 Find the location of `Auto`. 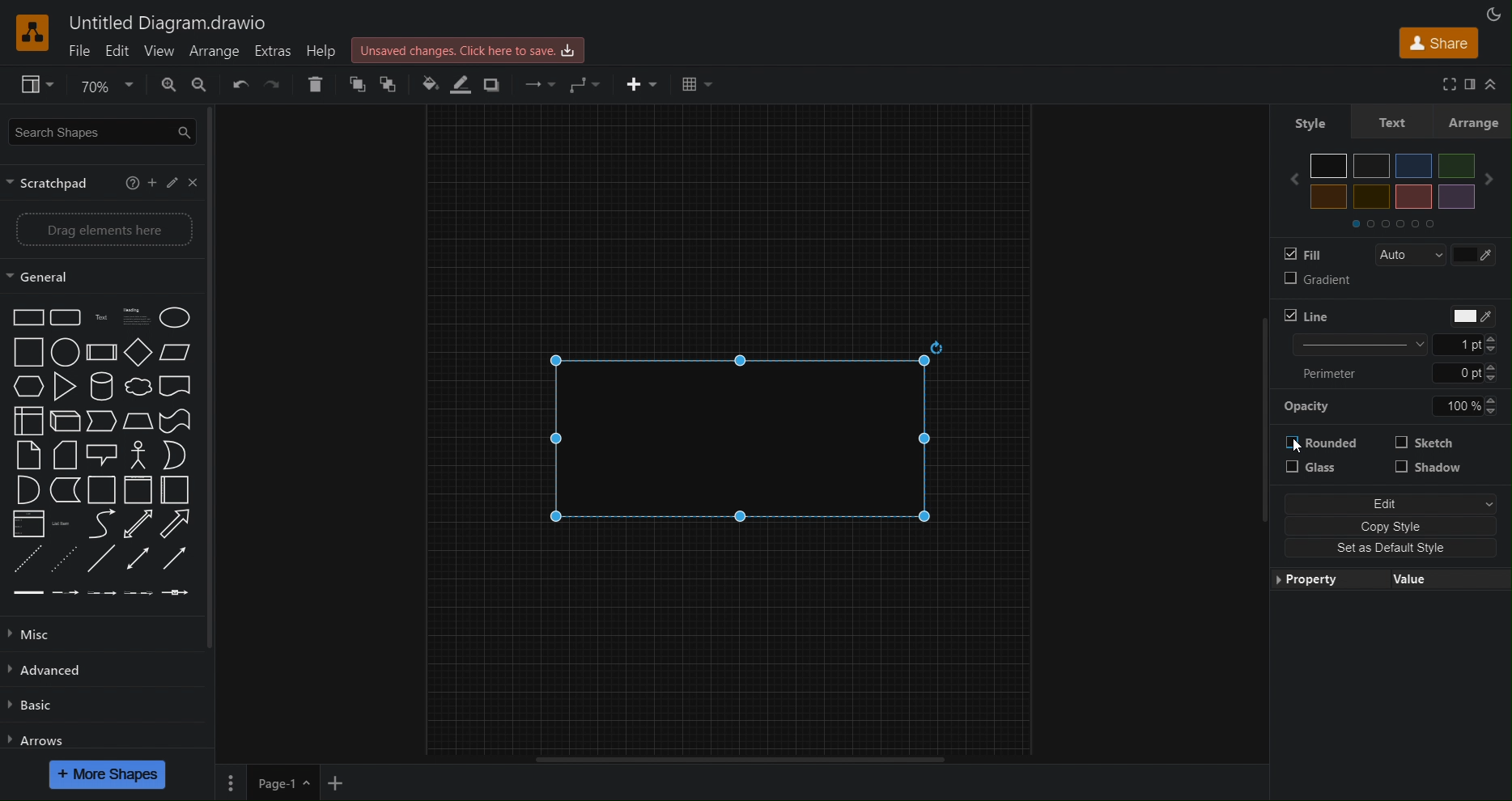

Auto is located at coordinates (1404, 255).